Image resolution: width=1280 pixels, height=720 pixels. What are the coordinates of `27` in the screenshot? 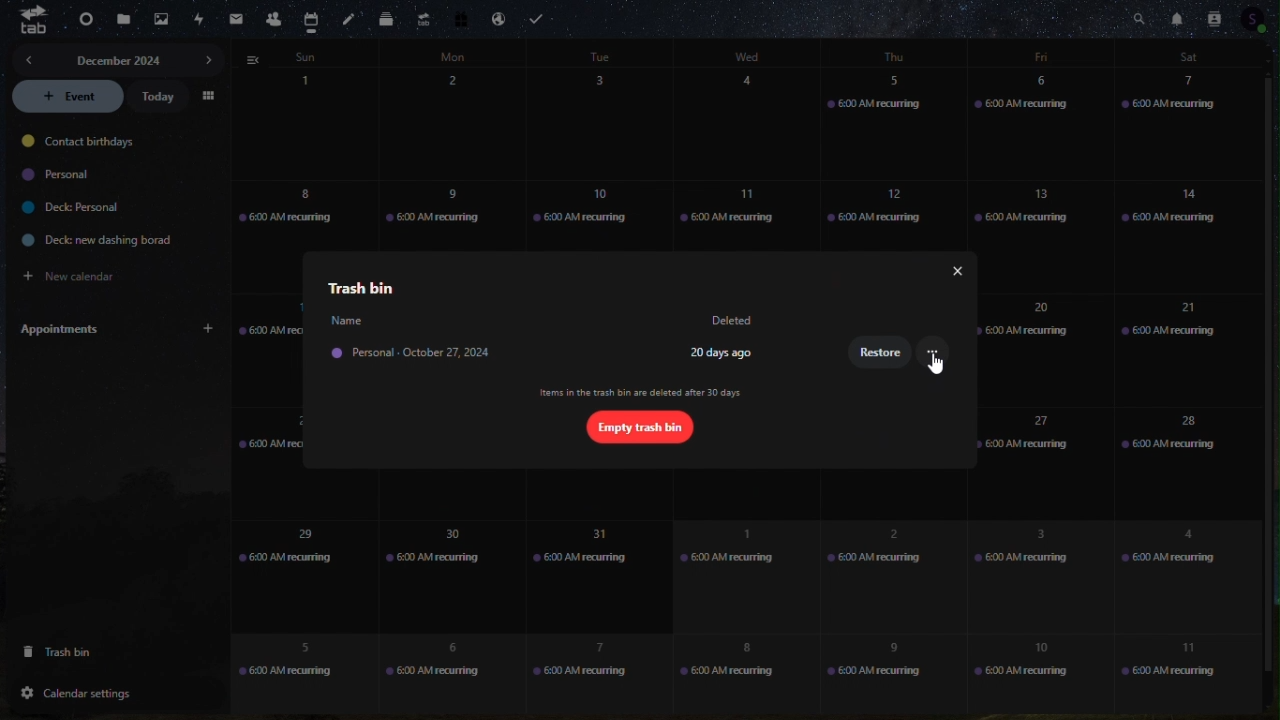 It's located at (1027, 452).